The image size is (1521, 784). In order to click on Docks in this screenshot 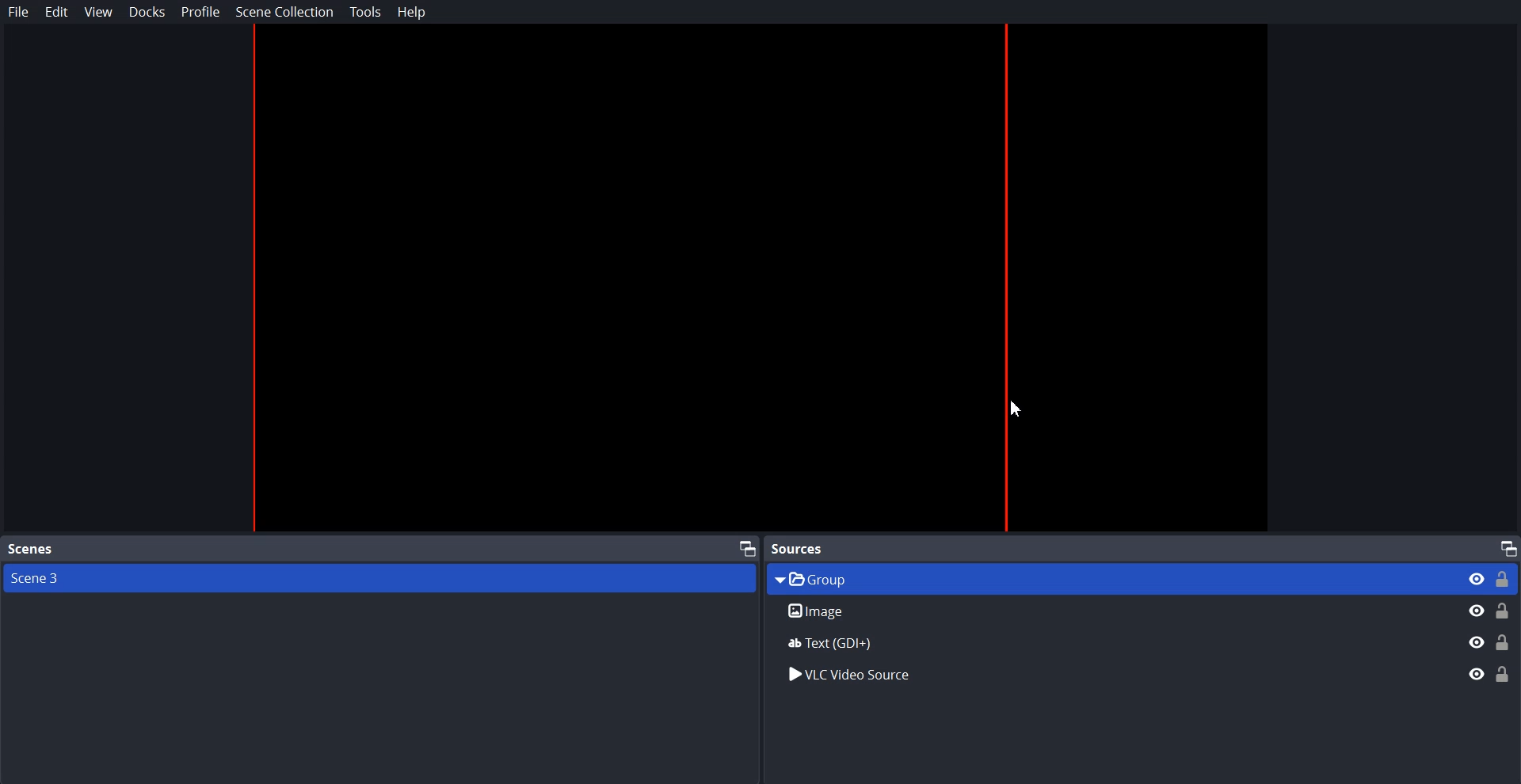, I will do `click(147, 12)`.